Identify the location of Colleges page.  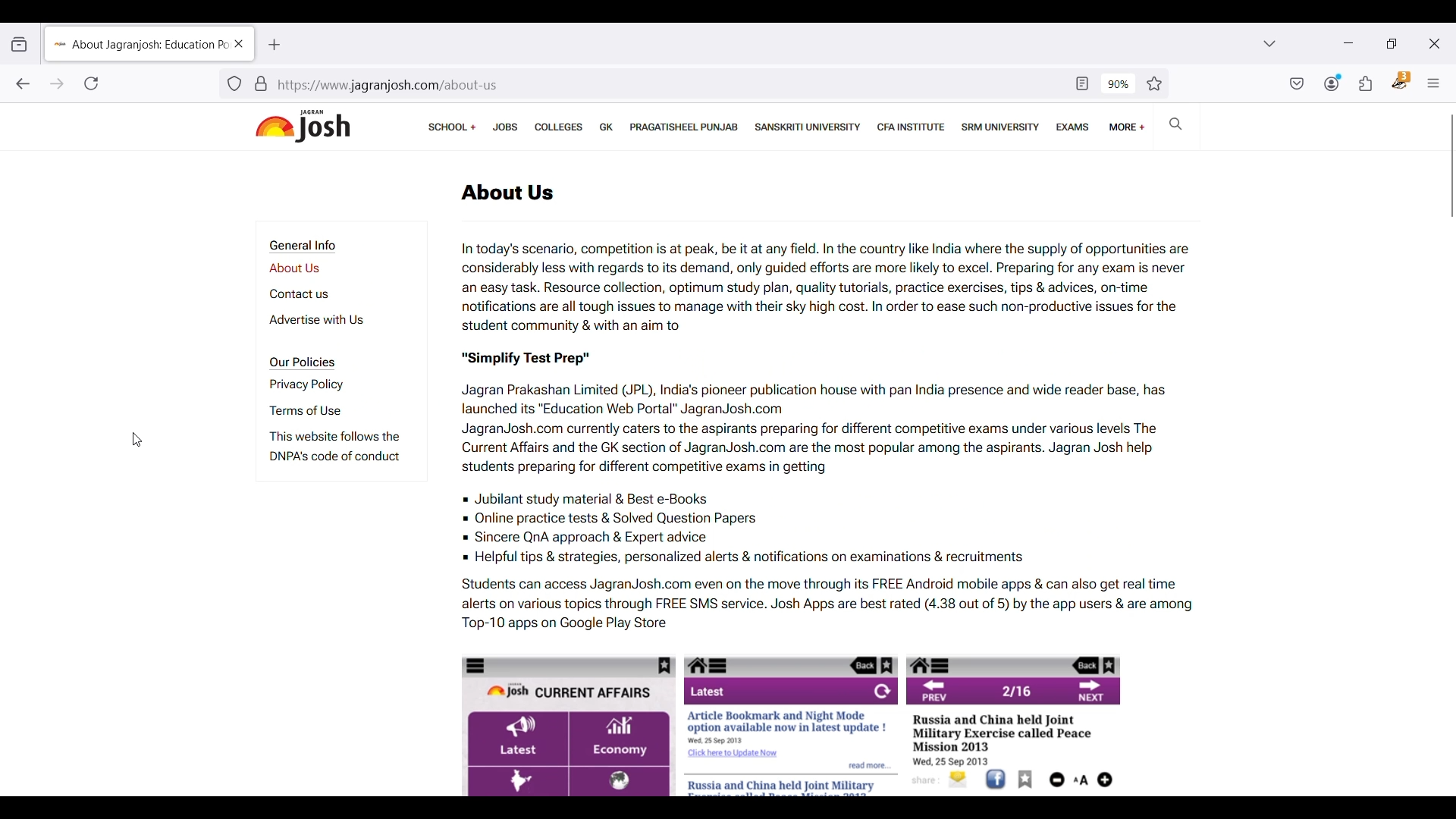
(559, 127).